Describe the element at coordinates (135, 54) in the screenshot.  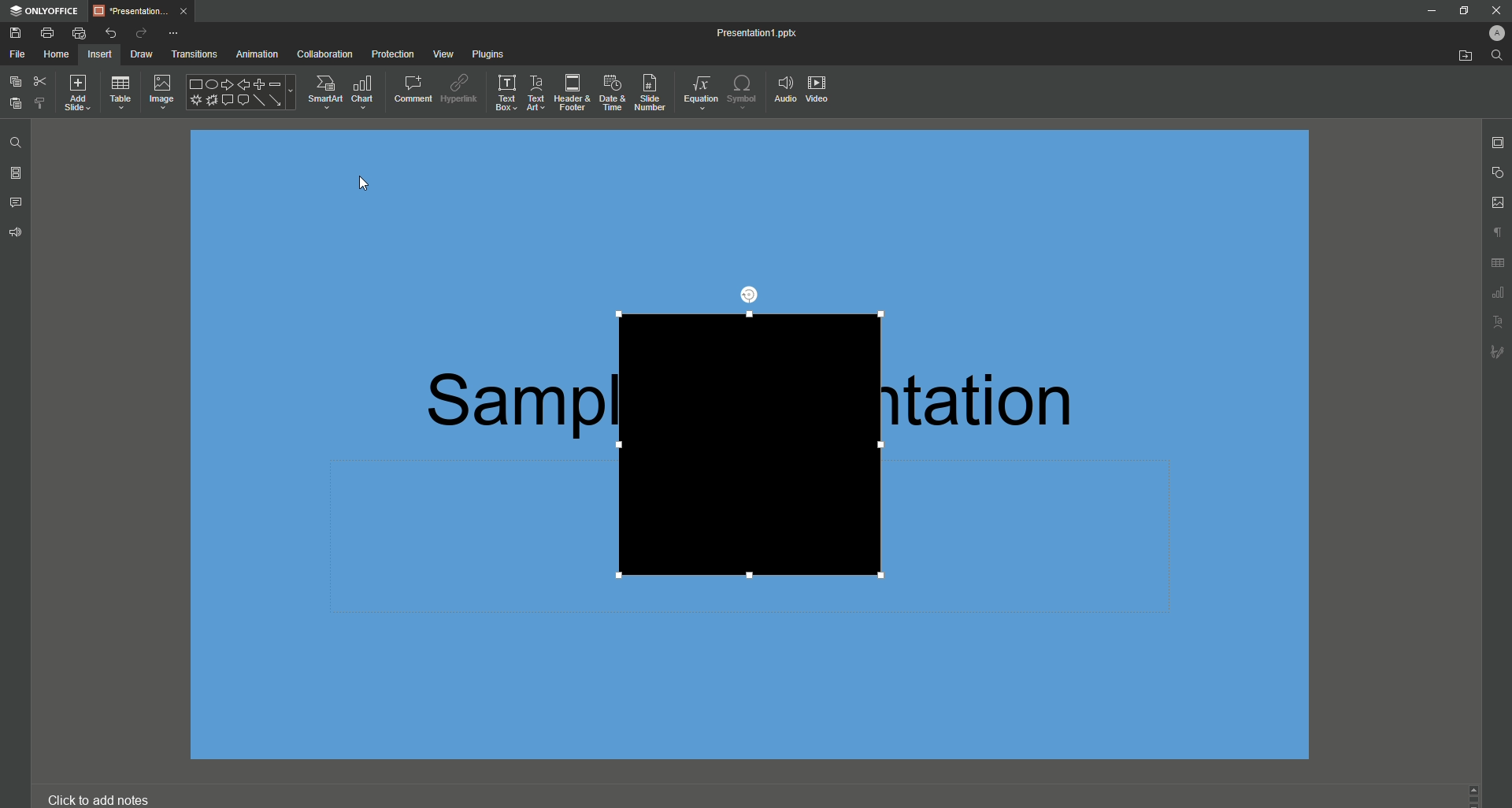
I see `Draw` at that location.